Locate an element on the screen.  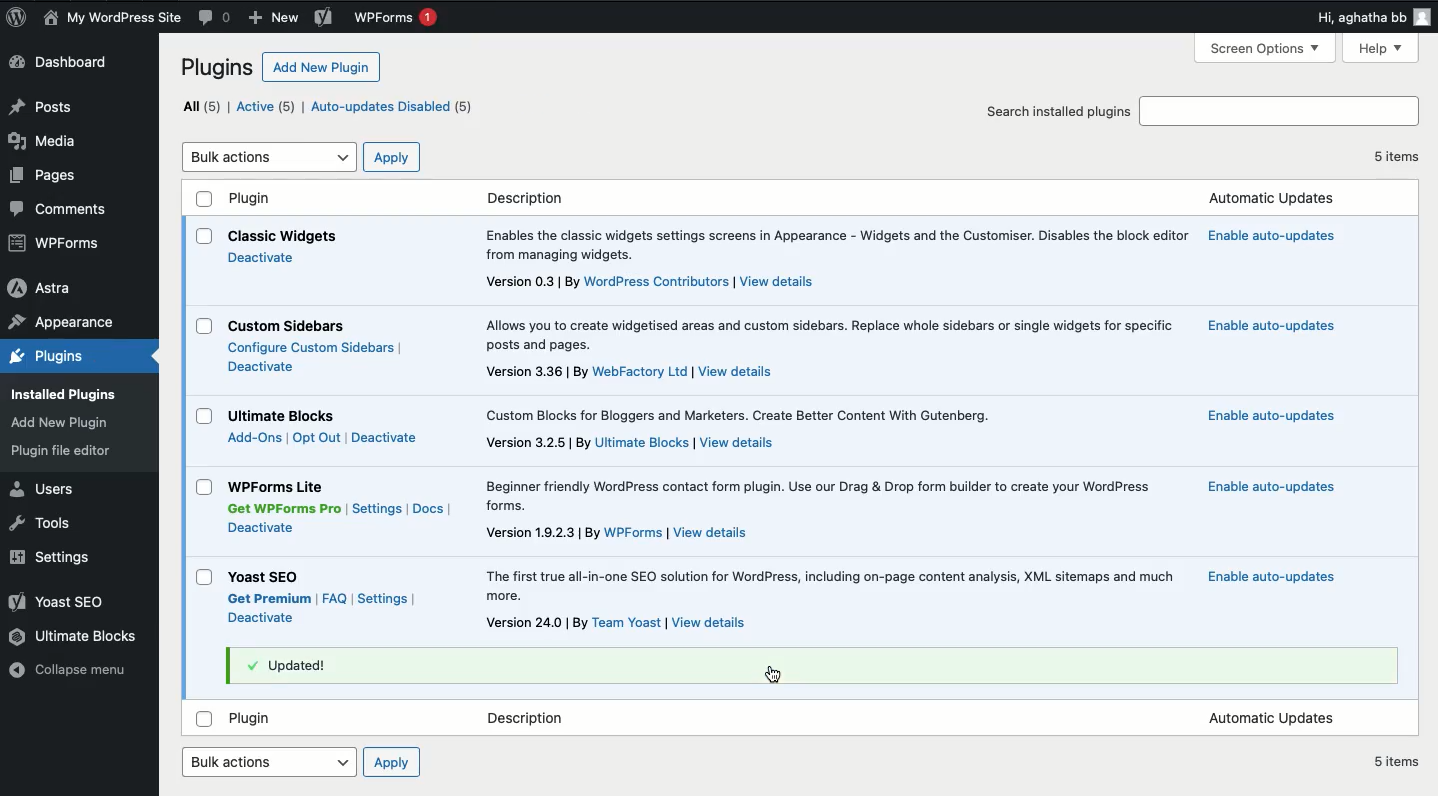
Plugin is located at coordinates (287, 327).